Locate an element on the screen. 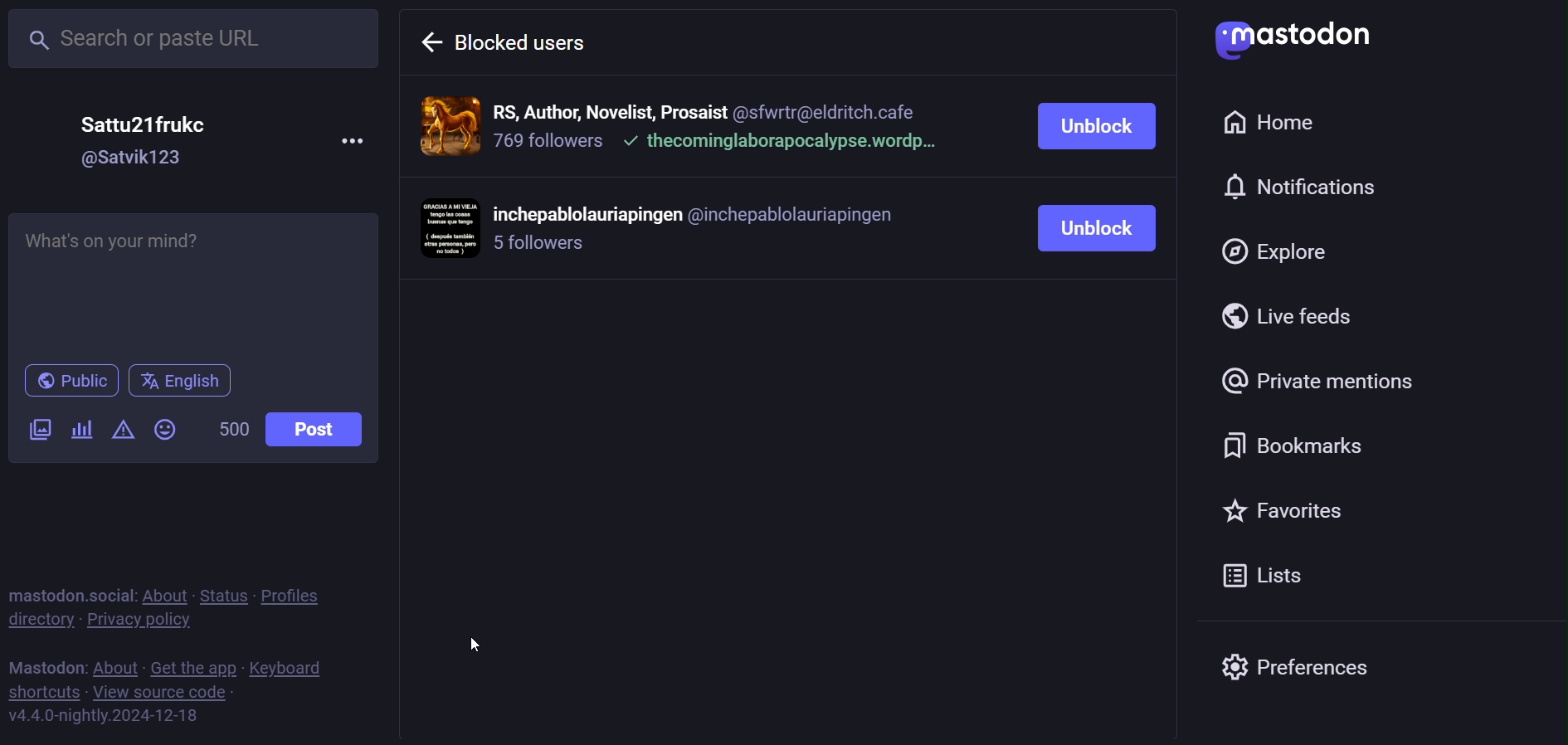 The height and width of the screenshot is (745, 1568). text is located at coordinates (45, 665).